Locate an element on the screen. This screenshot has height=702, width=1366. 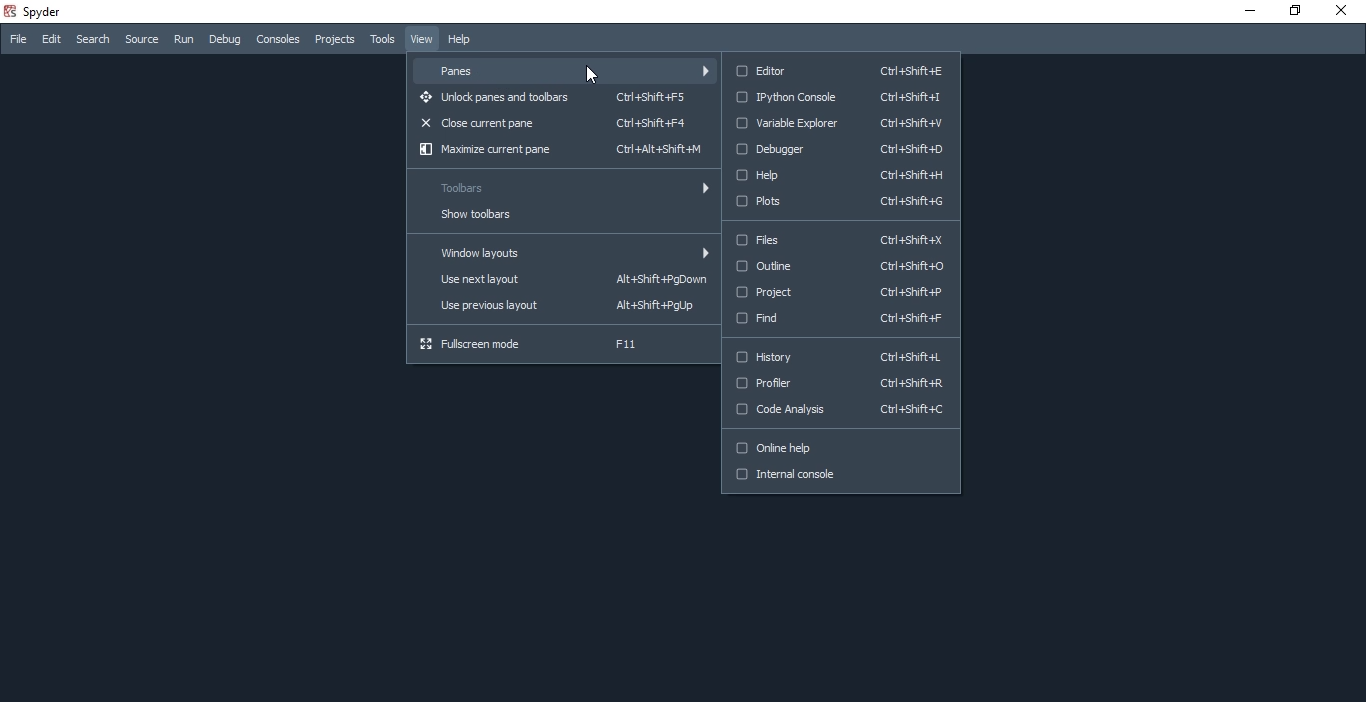
Close current pane is located at coordinates (564, 123).